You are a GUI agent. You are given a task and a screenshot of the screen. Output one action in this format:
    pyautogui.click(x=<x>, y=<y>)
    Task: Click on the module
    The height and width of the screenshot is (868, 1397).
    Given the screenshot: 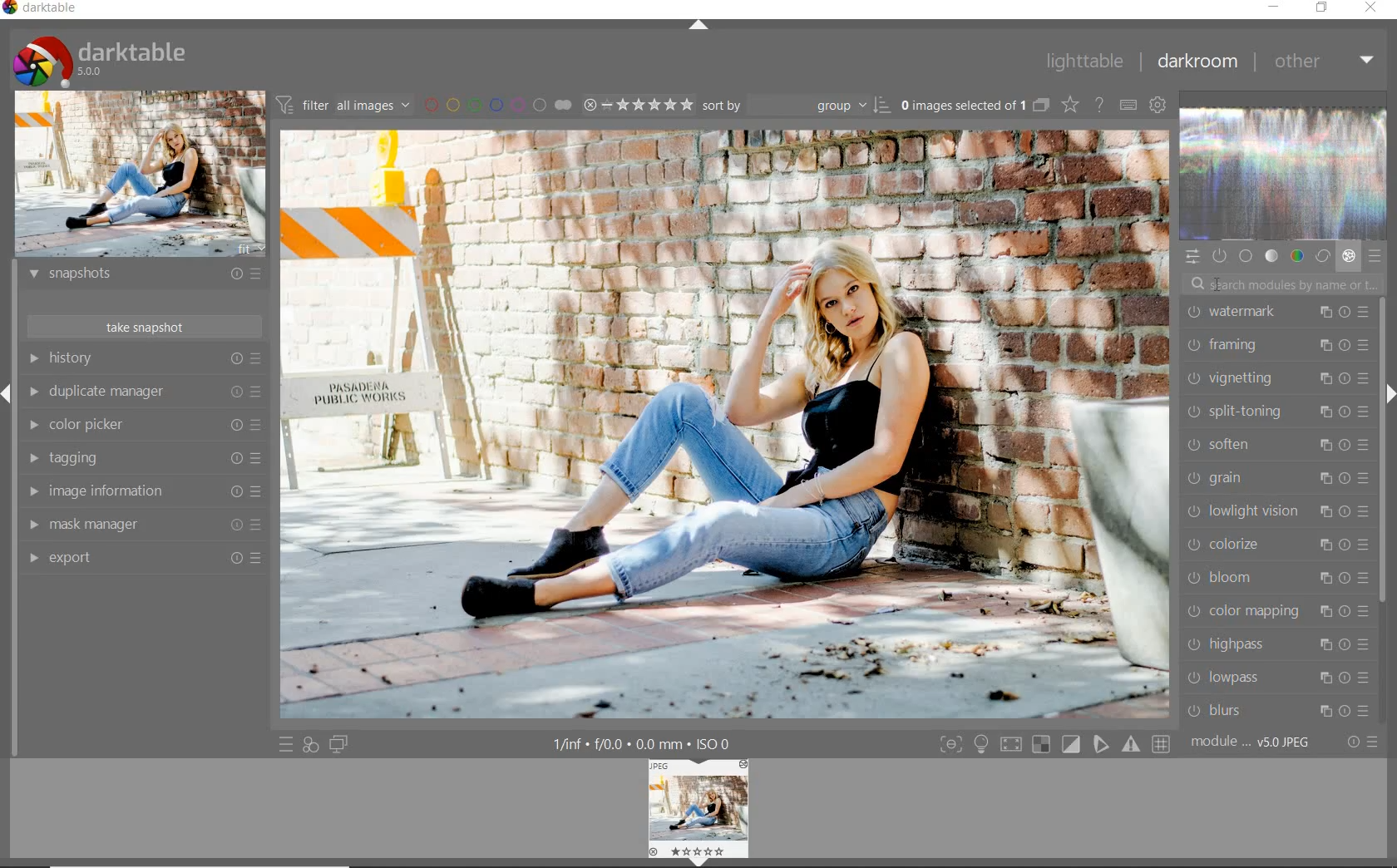 What is the action you would take?
    pyautogui.click(x=1250, y=742)
    